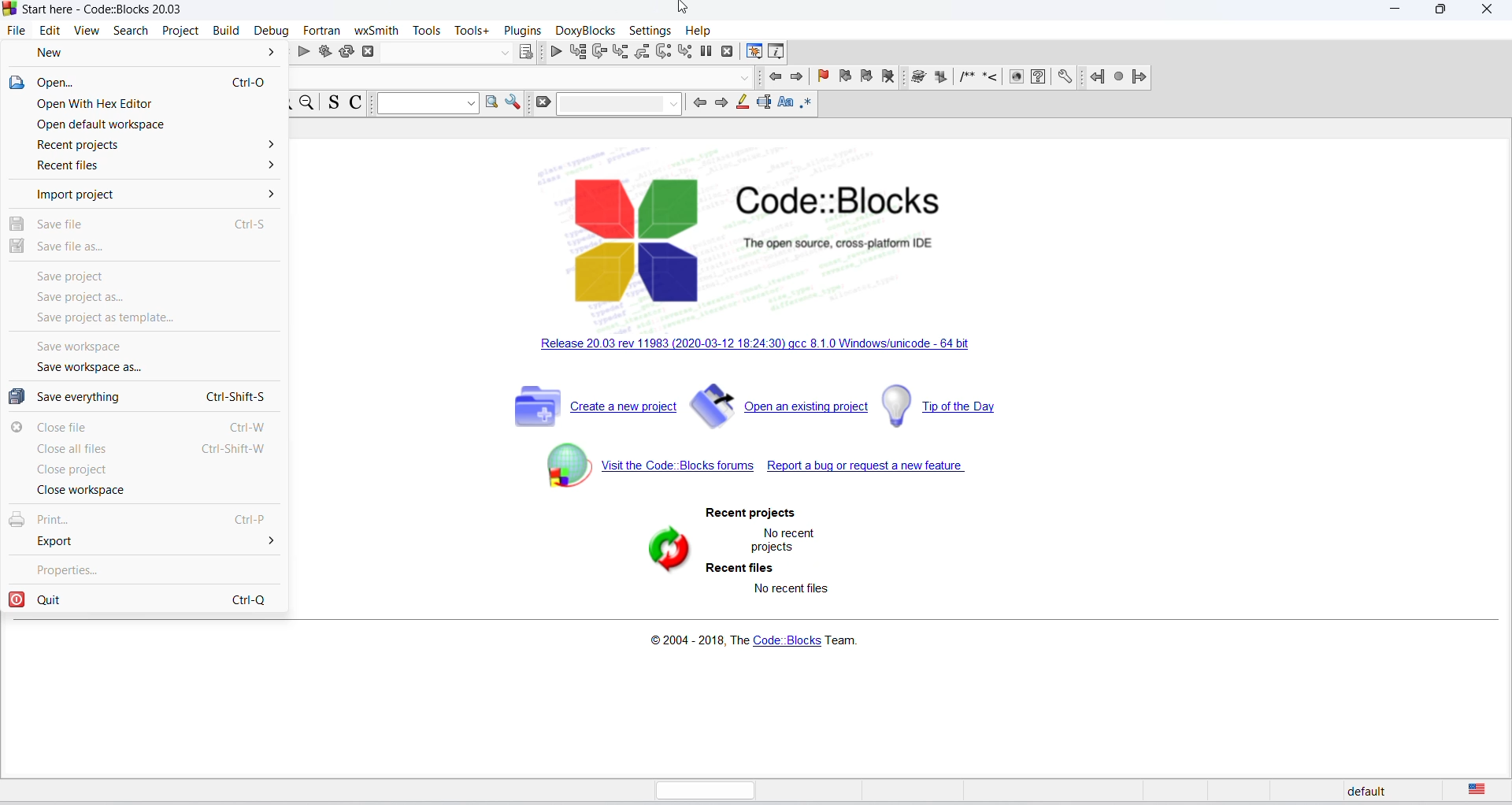 Image resolution: width=1512 pixels, height=805 pixels. What do you see at coordinates (764, 103) in the screenshot?
I see `text selection` at bounding box center [764, 103].